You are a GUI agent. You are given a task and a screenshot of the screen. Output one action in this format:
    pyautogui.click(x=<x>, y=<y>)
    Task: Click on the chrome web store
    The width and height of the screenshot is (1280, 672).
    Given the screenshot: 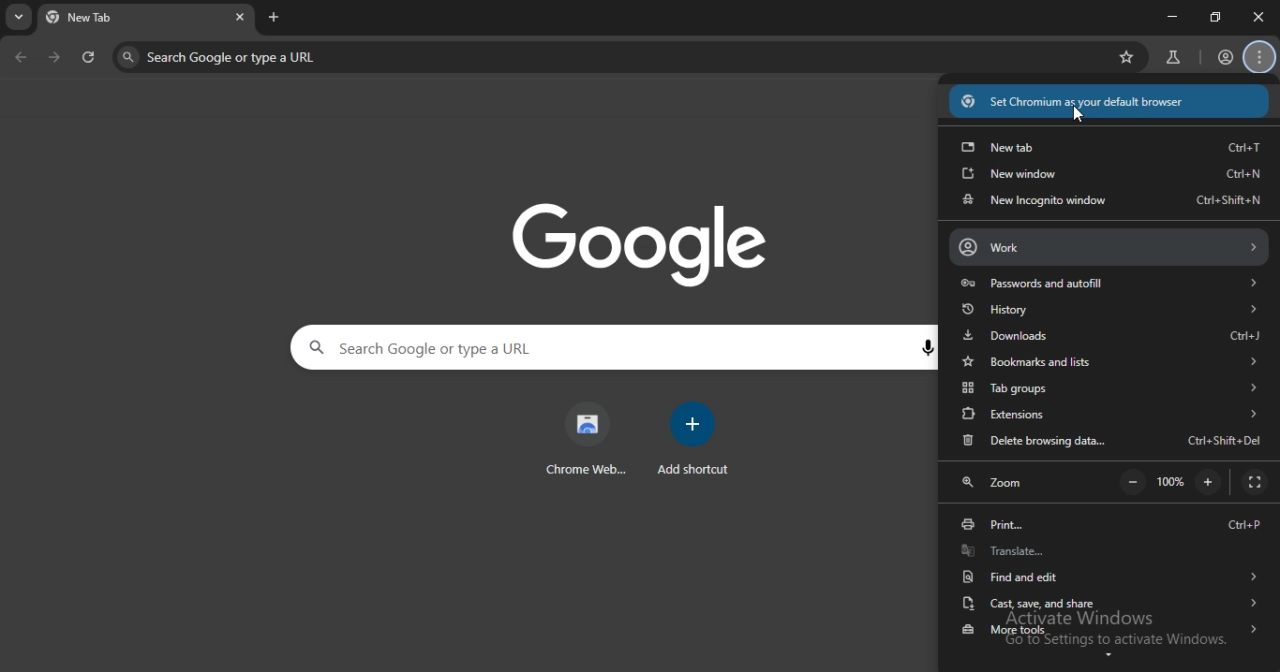 What is the action you would take?
    pyautogui.click(x=584, y=437)
    